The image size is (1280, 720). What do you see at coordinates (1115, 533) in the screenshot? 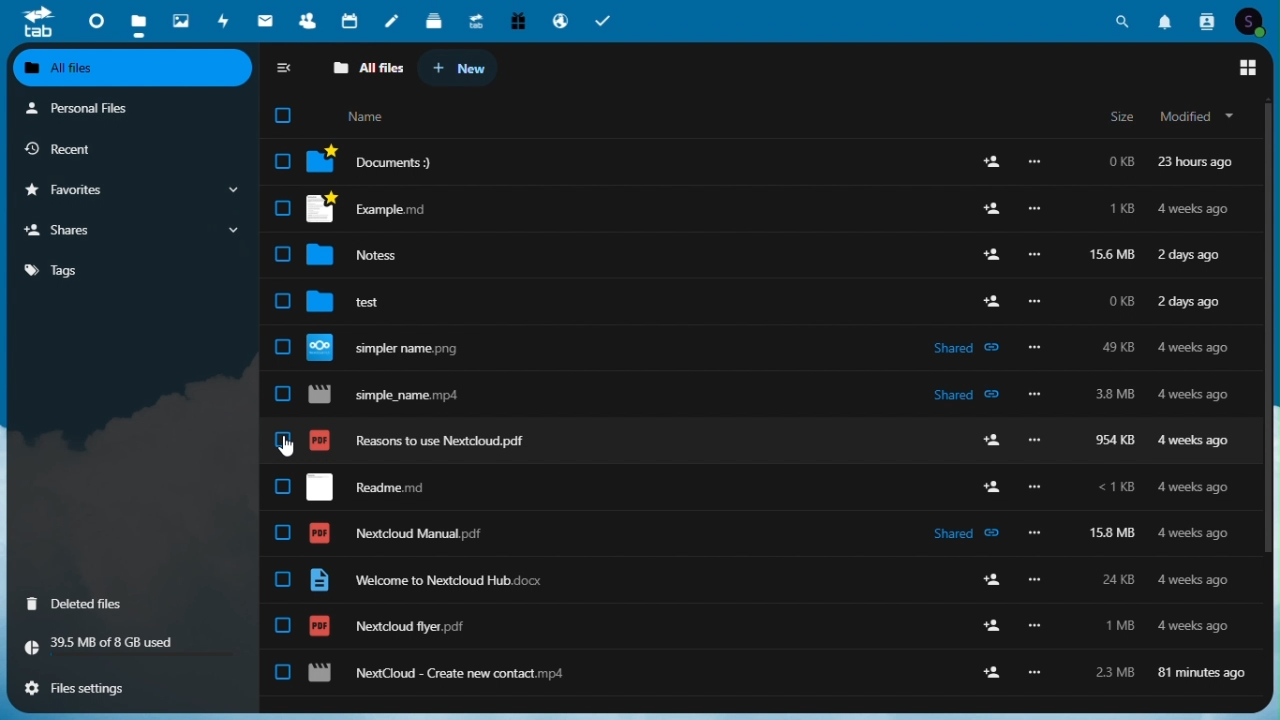
I see `15.8 mb` at bounding box center [1115, 533].